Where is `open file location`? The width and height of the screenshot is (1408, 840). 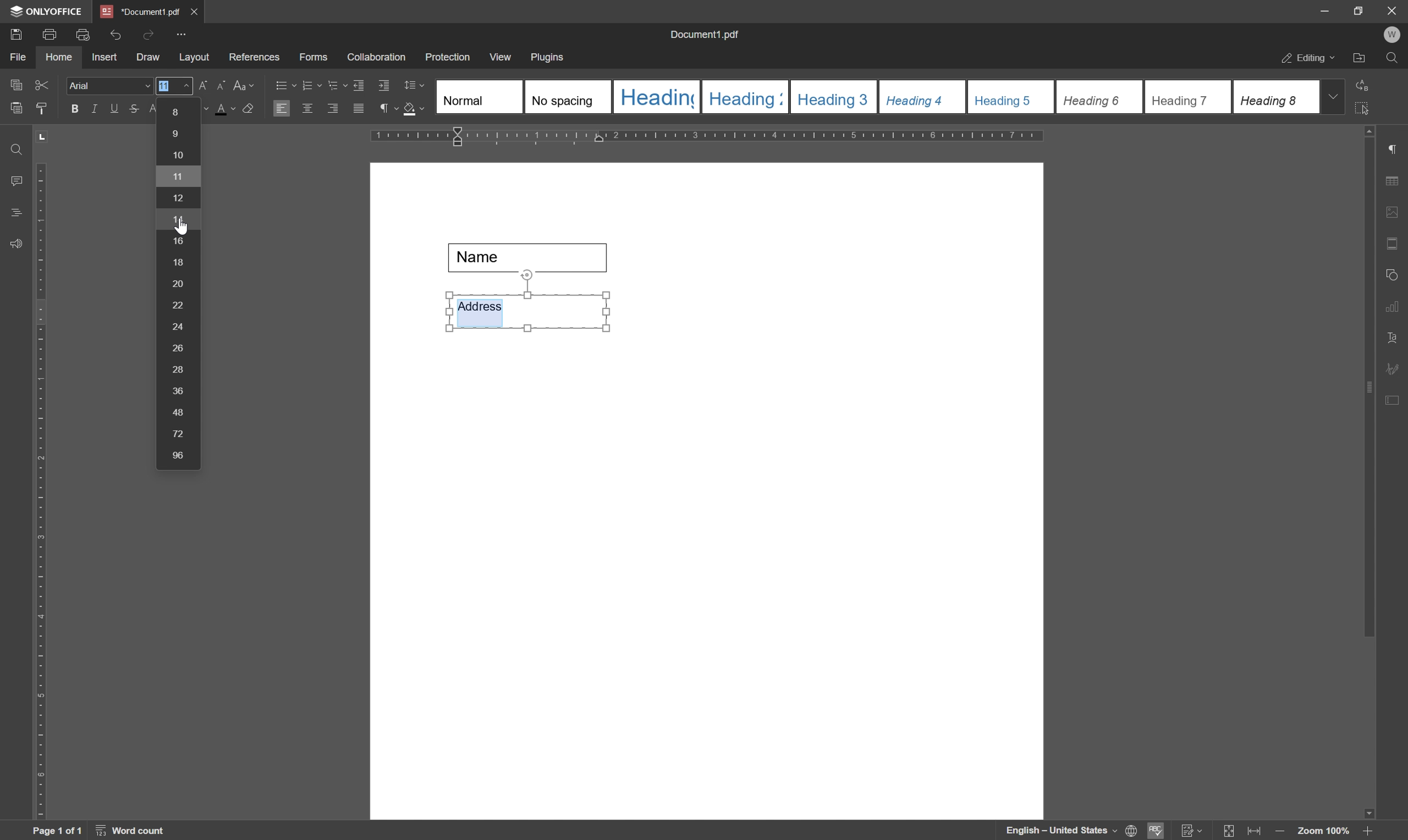 open file location is located at coordinates (1360, 59).